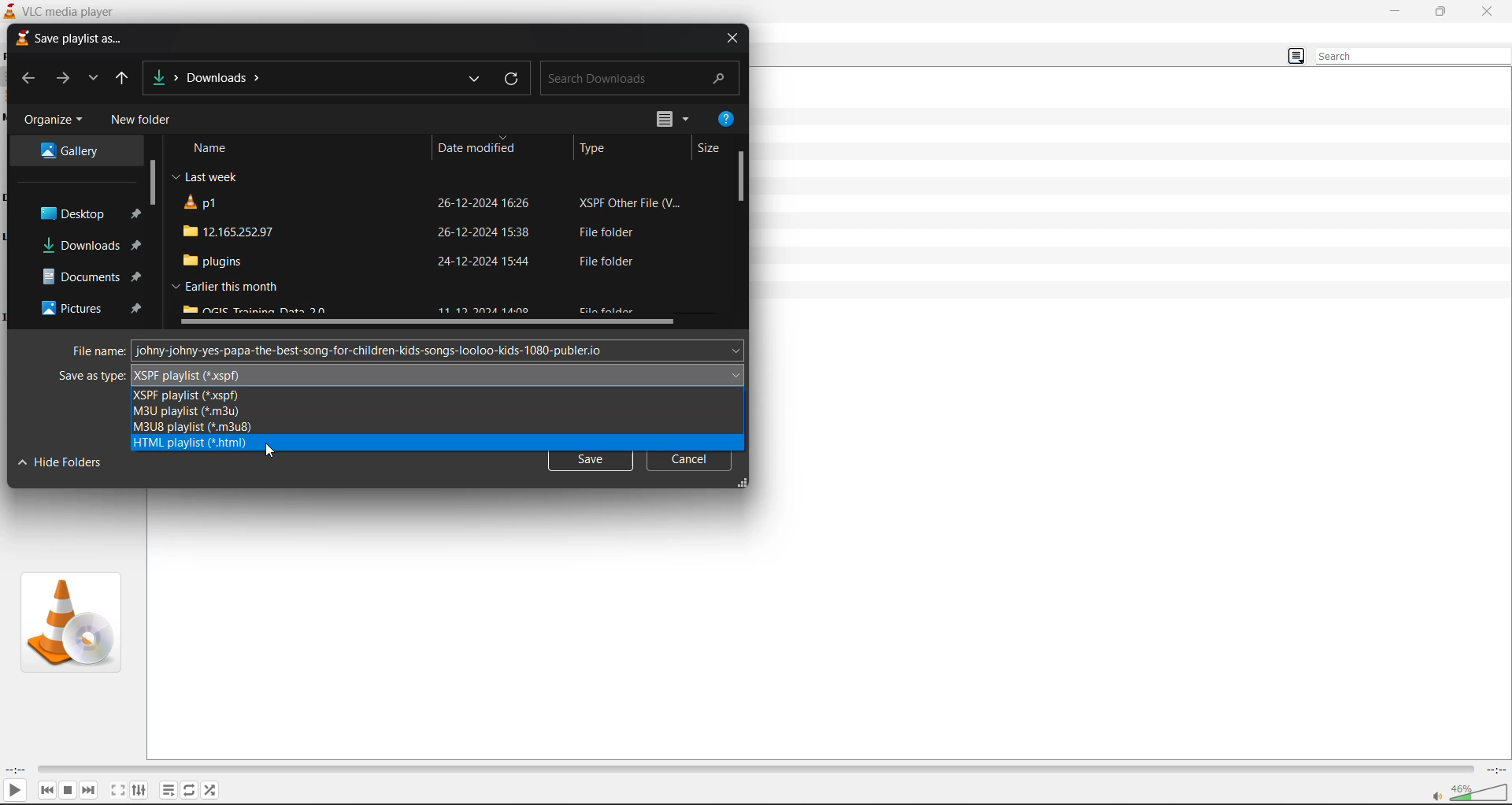 This screenshot has height=805, width=1512. I want to click on select save as type, so click(437, 373).